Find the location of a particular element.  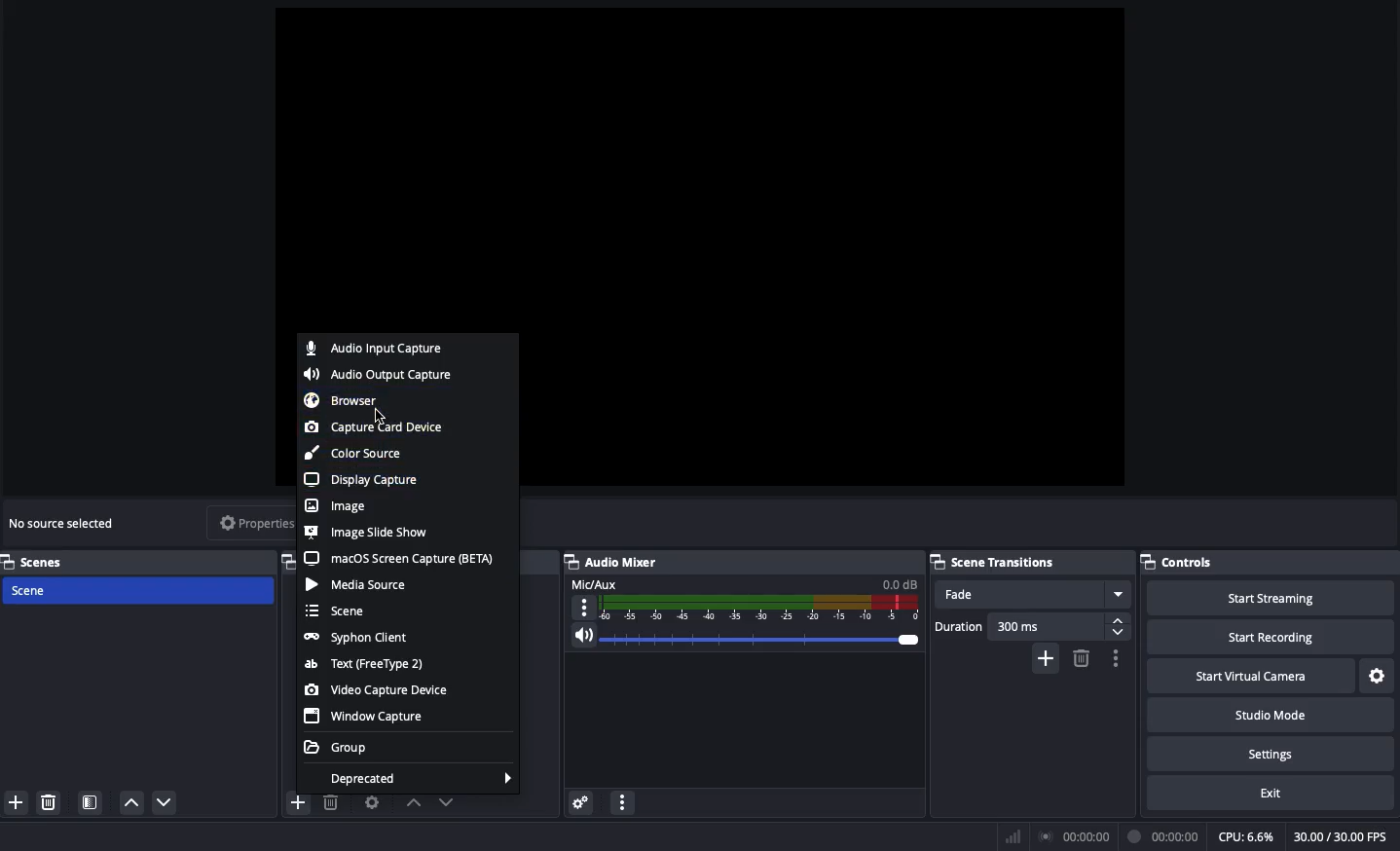

Color source is located at coordinates (361, 454).